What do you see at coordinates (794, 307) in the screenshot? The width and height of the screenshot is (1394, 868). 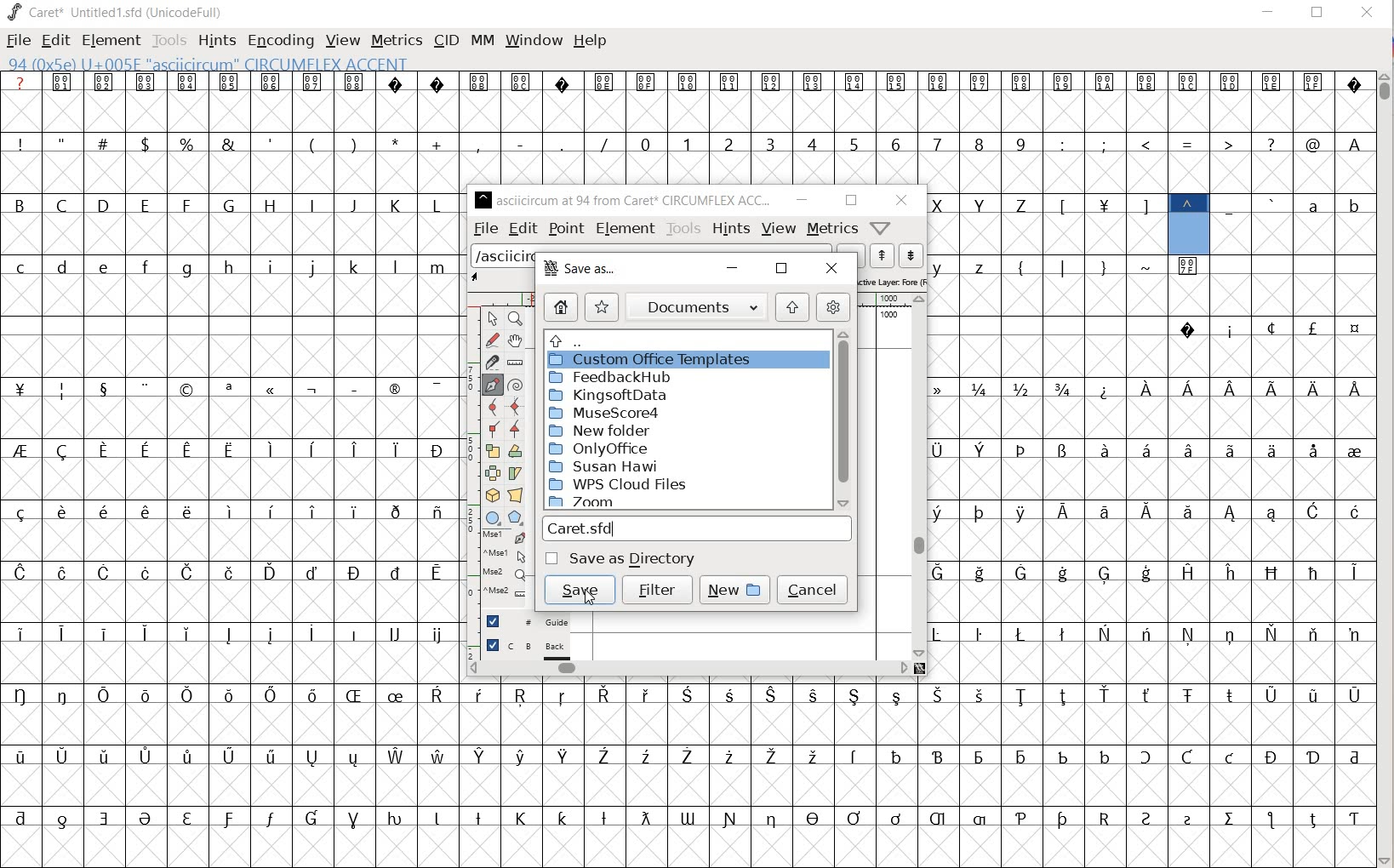 I see `up` at bounding box center [794, 307].